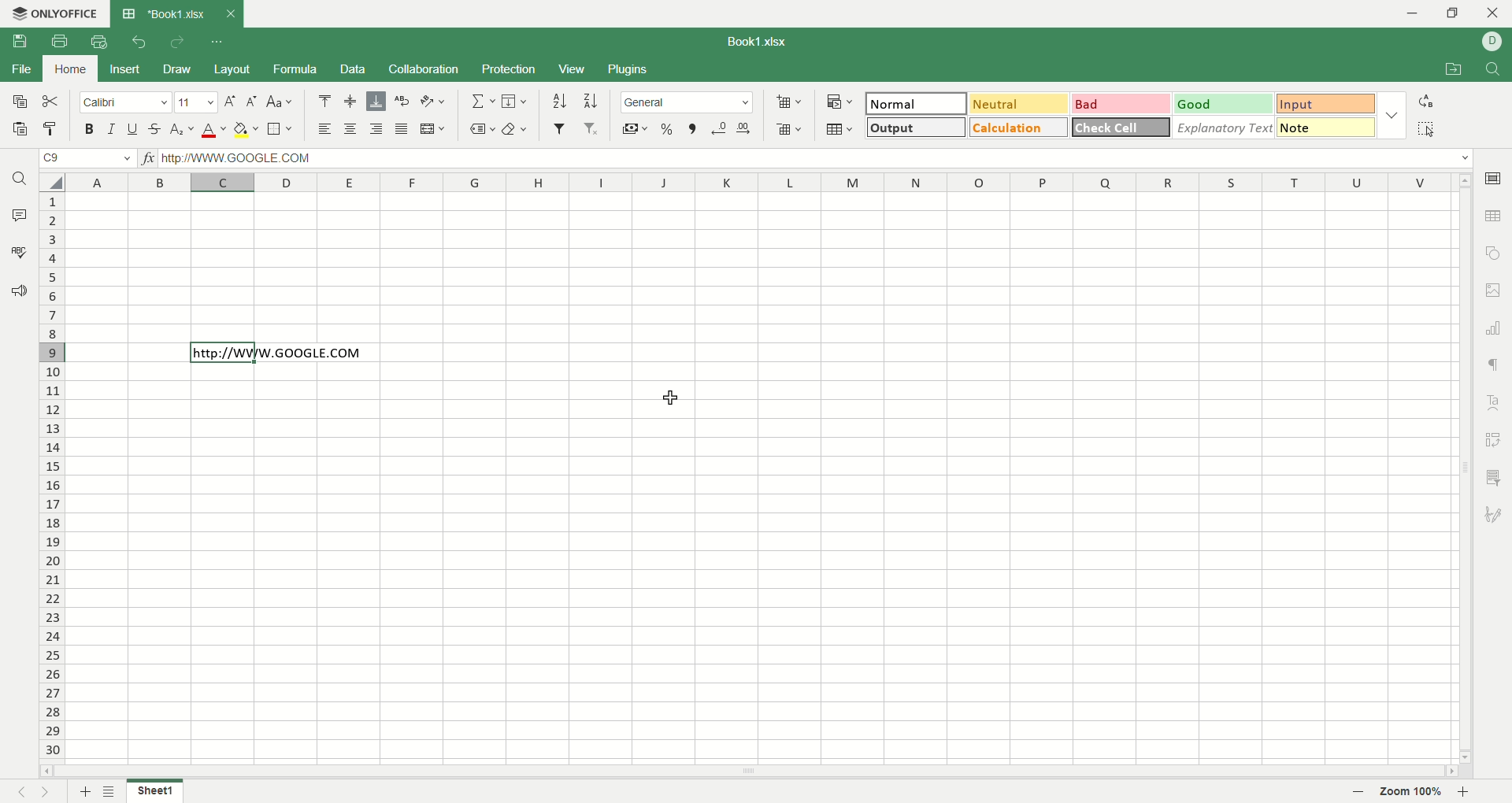 The image size is (1512, 803). What do you see at coordinates (516, 131) in the screenshot?
I see `clear` at bounding box center [516, 131].